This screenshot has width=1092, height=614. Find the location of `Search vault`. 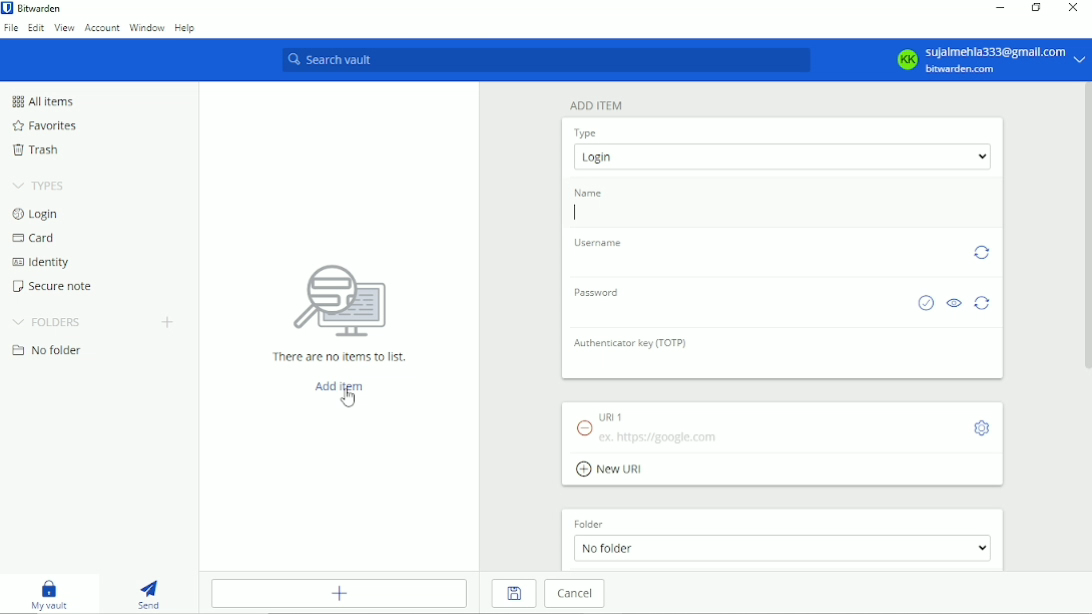

Search vault is located at coordinates (545, 61).